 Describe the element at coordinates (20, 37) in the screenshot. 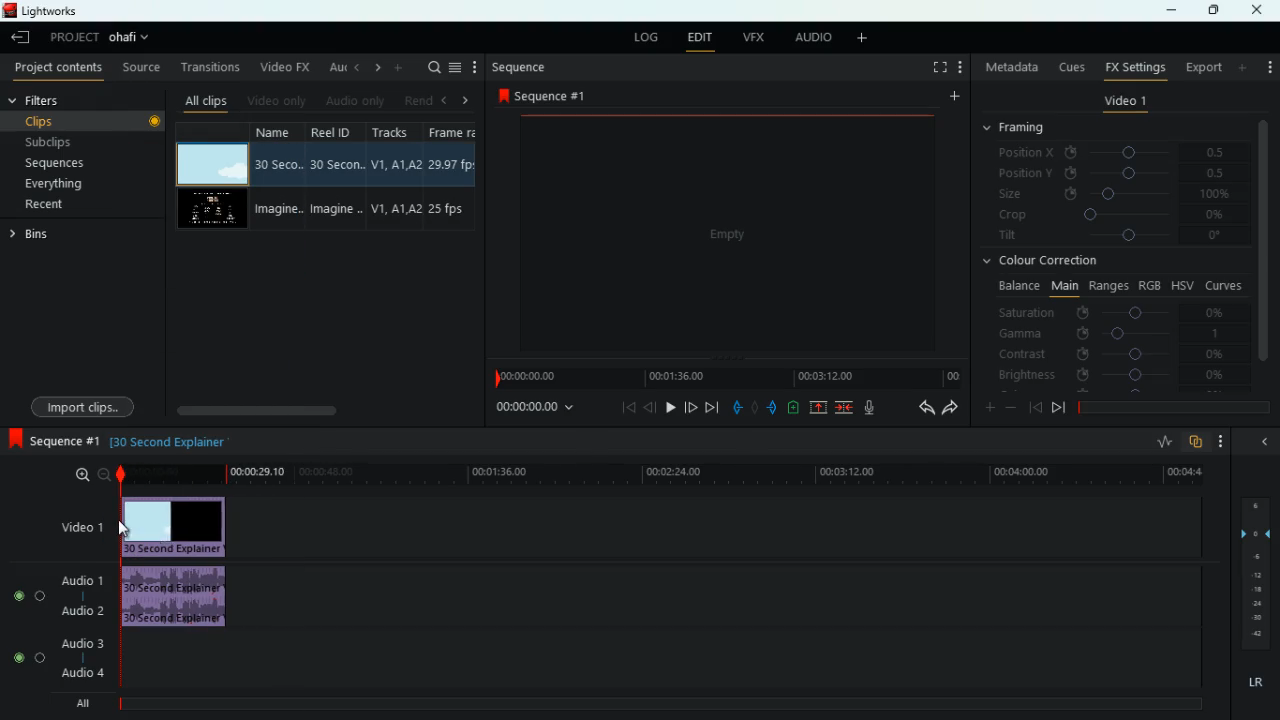

I see `leave` at that location.